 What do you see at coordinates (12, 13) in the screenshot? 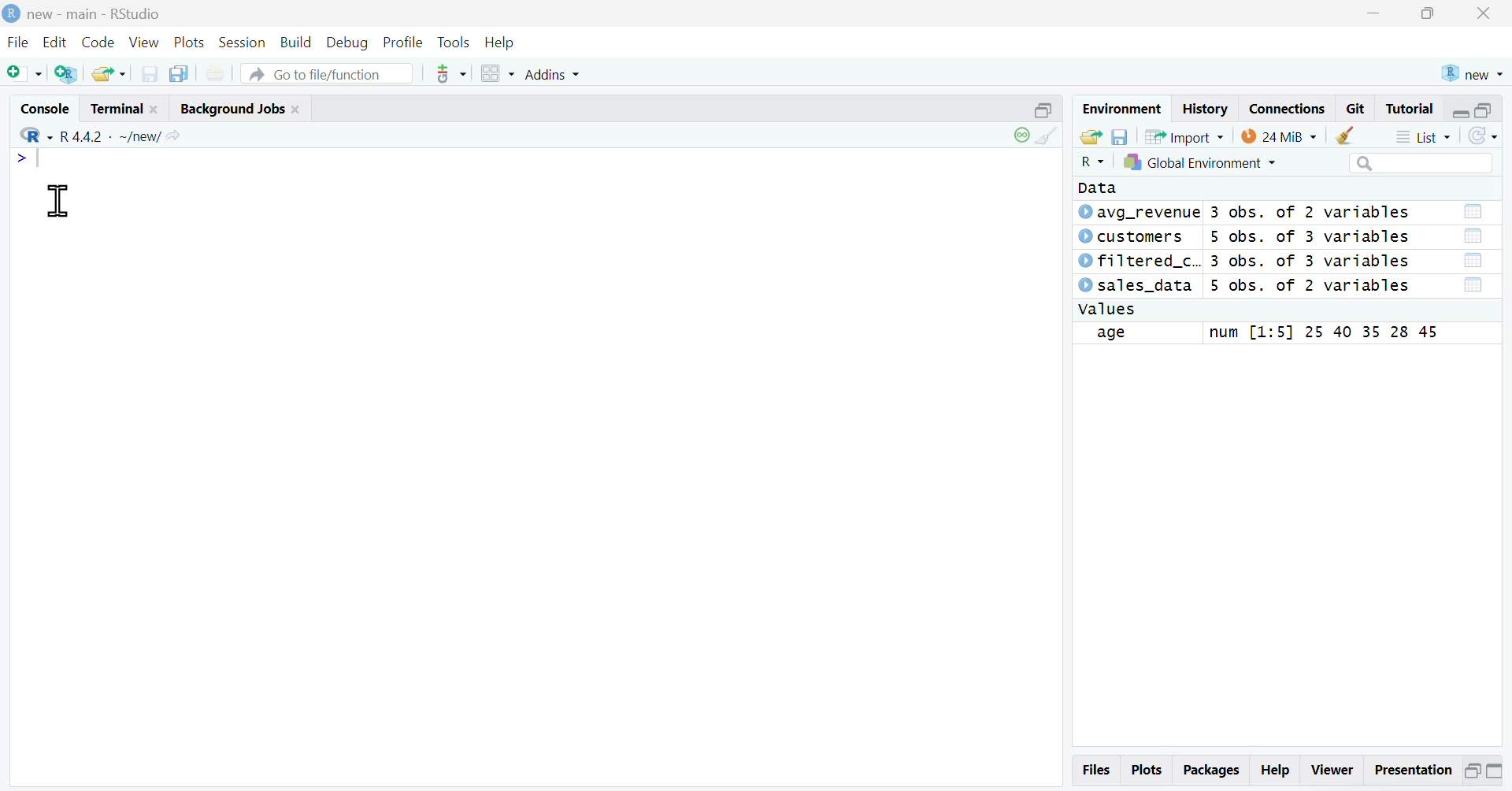
I see `Logo` at bounding box center [12, 13].